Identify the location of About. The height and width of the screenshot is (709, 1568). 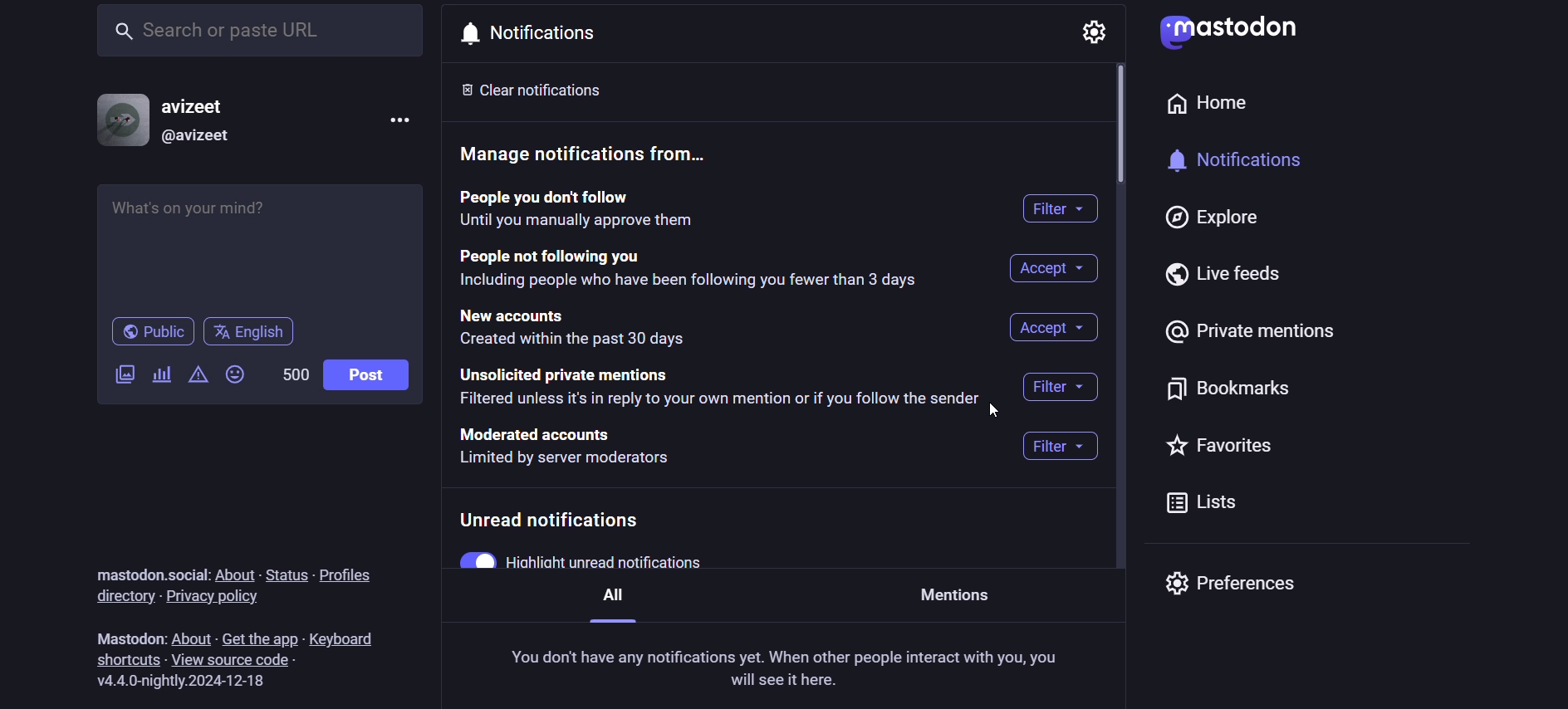
(237, 572).